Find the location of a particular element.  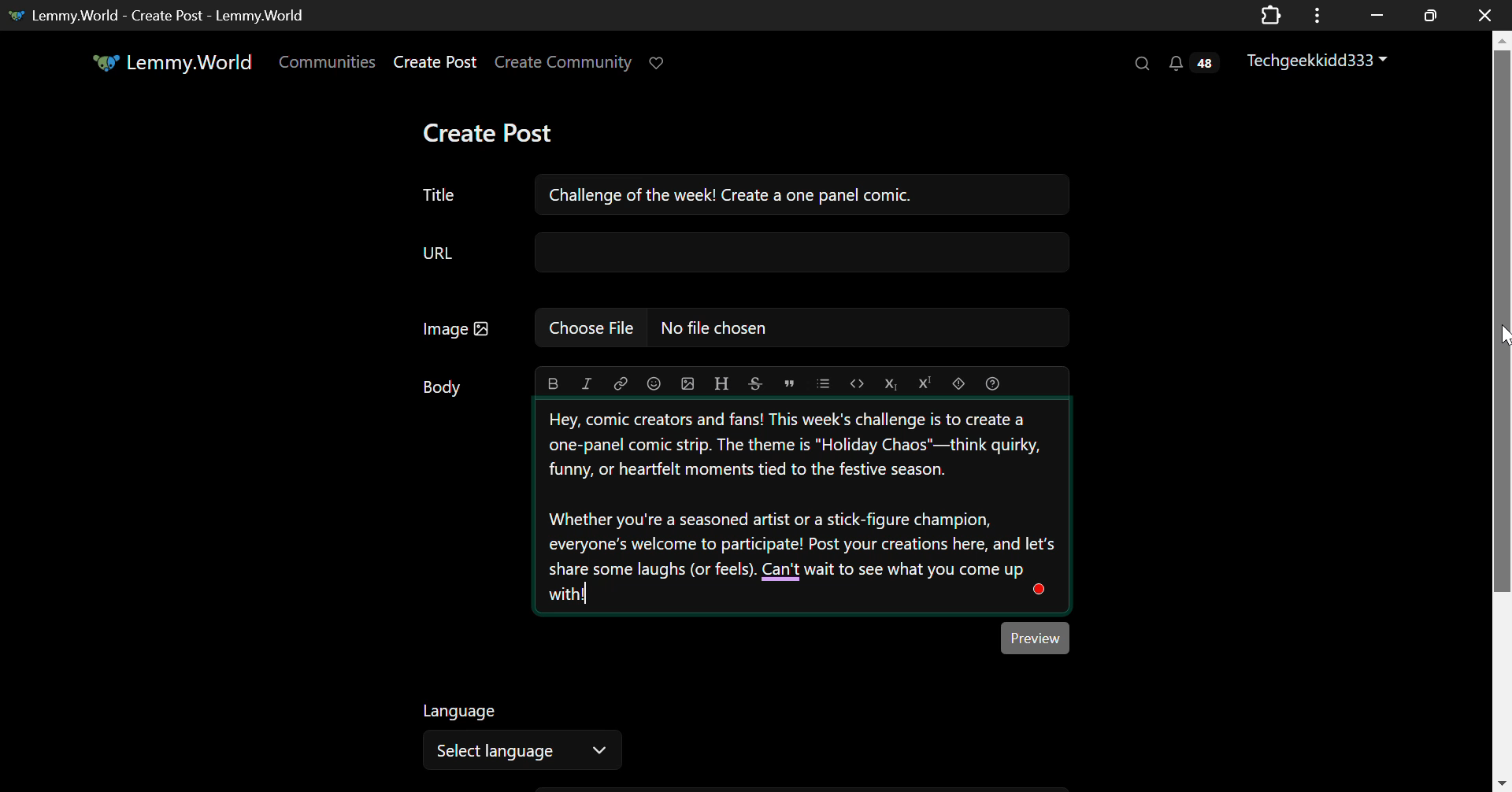

Select Language is located at coordinates (521, 751).